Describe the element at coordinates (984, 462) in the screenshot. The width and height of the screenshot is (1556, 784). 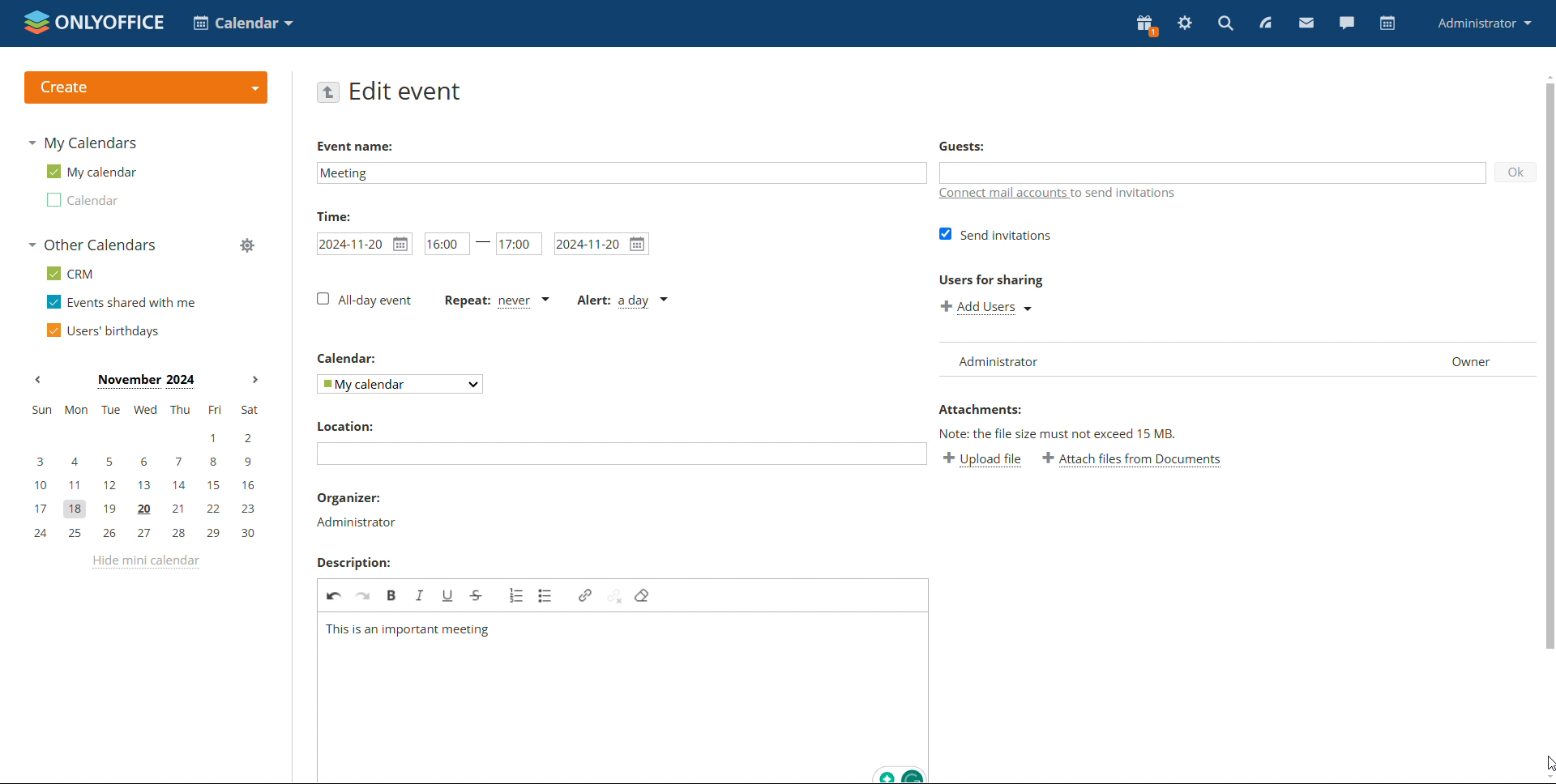
I see `upload file` at that location.